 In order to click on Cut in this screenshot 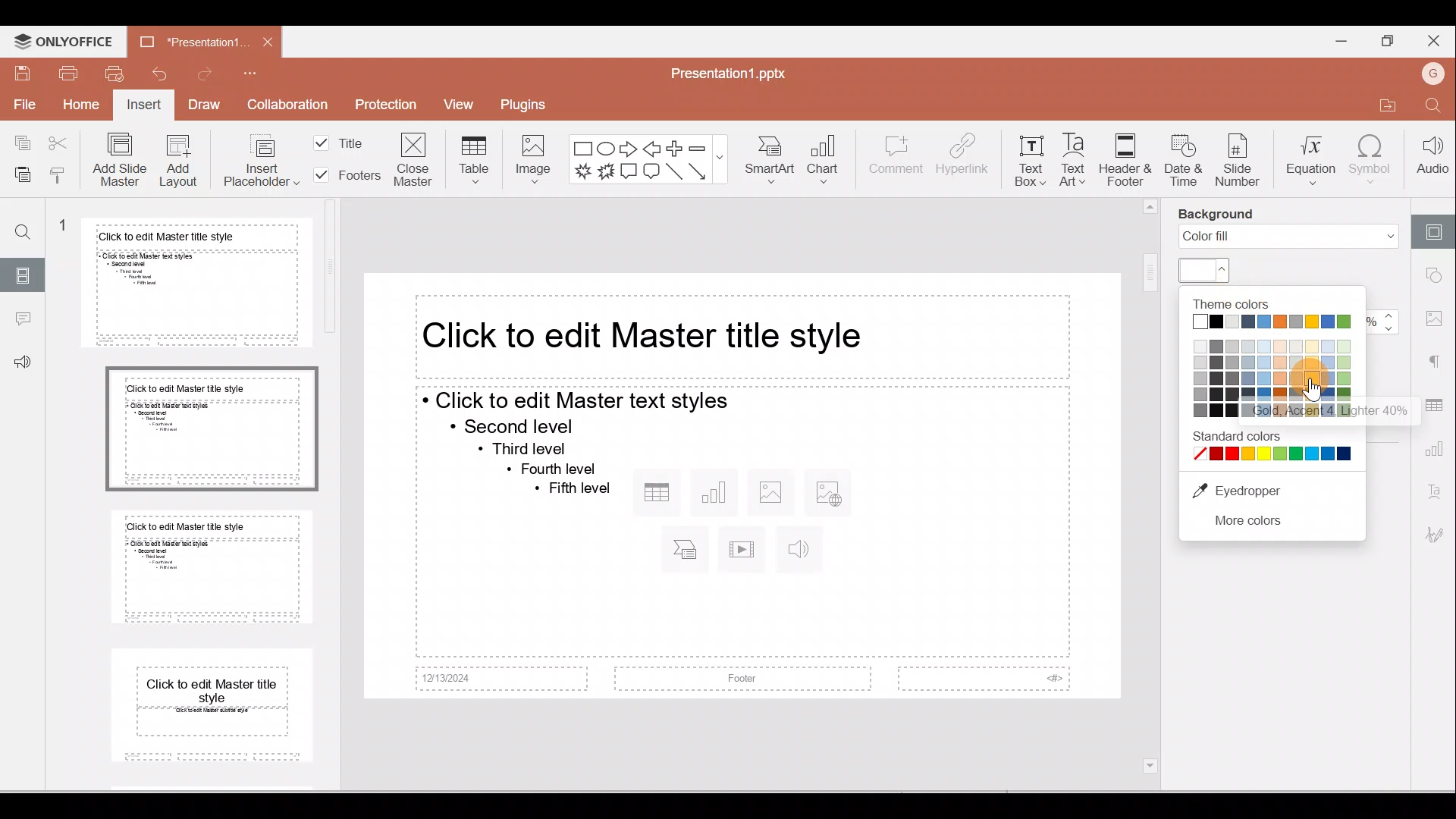, I will do `click(59, 143)`.